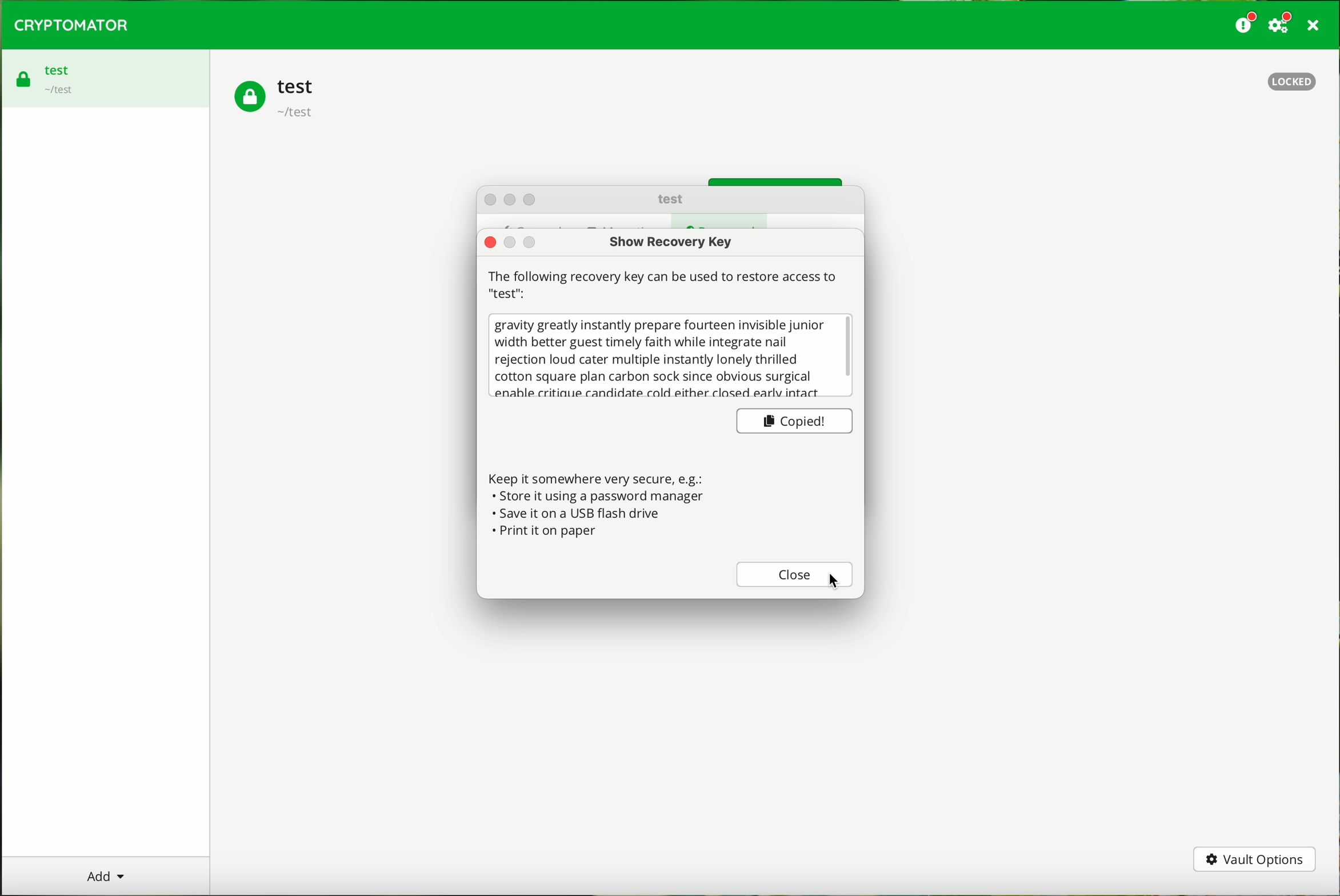 The image size is (1340, 896). I want to click on test vault, so click(49, 75).